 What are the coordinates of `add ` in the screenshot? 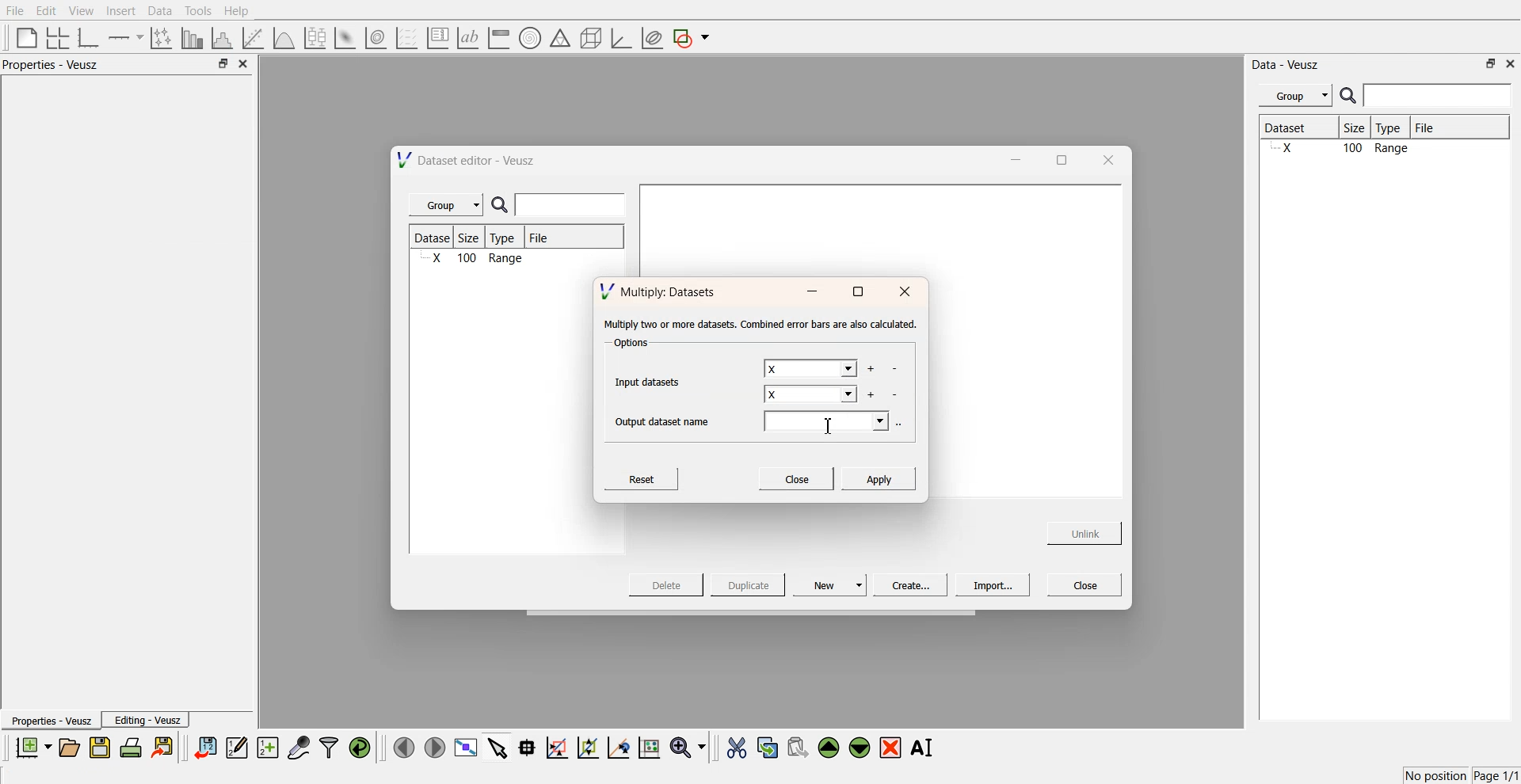 It's located at (870, 394).